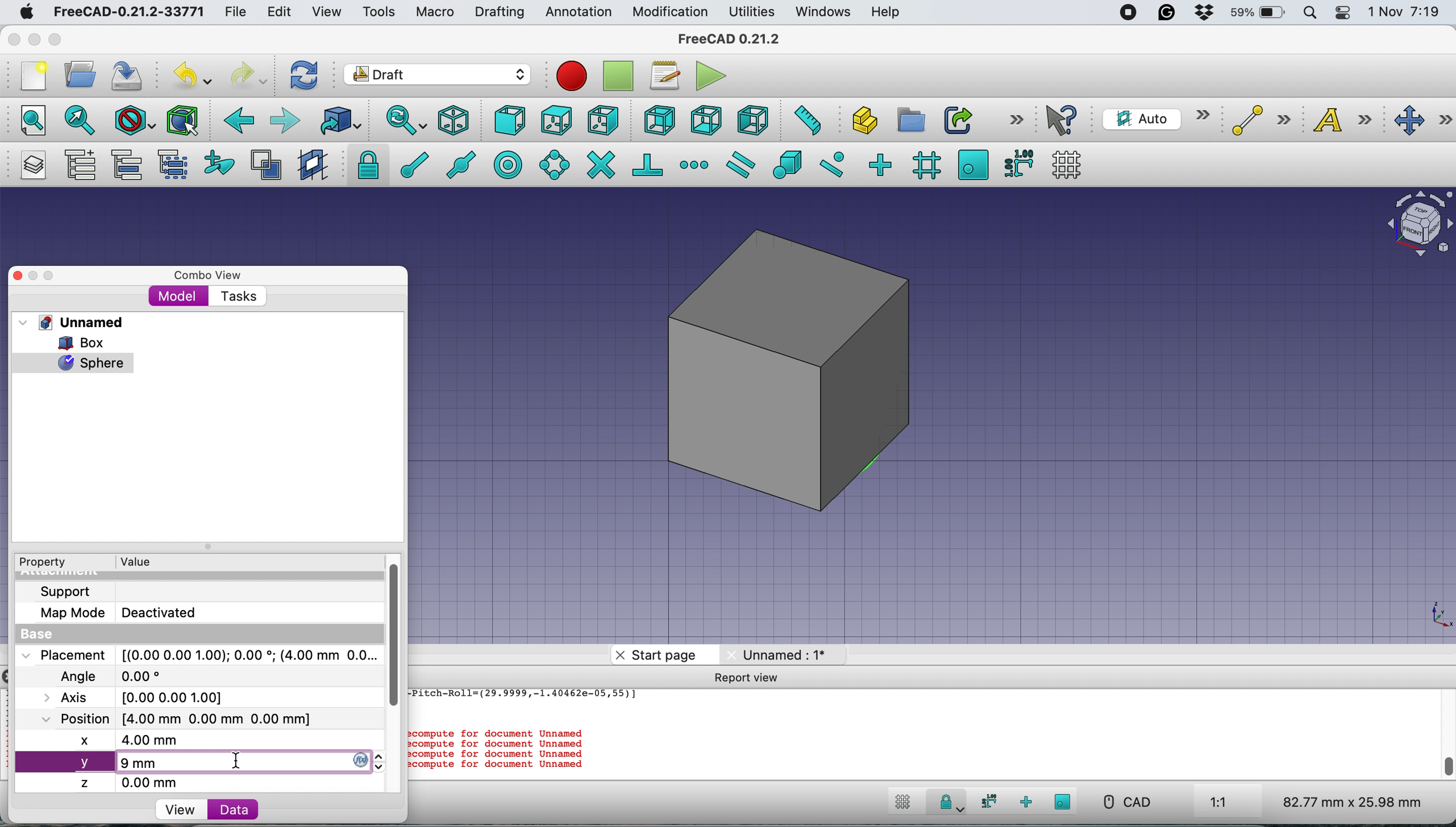  Describe the element at coordinates (237, 297) in the screenshot. I see `tasks` at that location.